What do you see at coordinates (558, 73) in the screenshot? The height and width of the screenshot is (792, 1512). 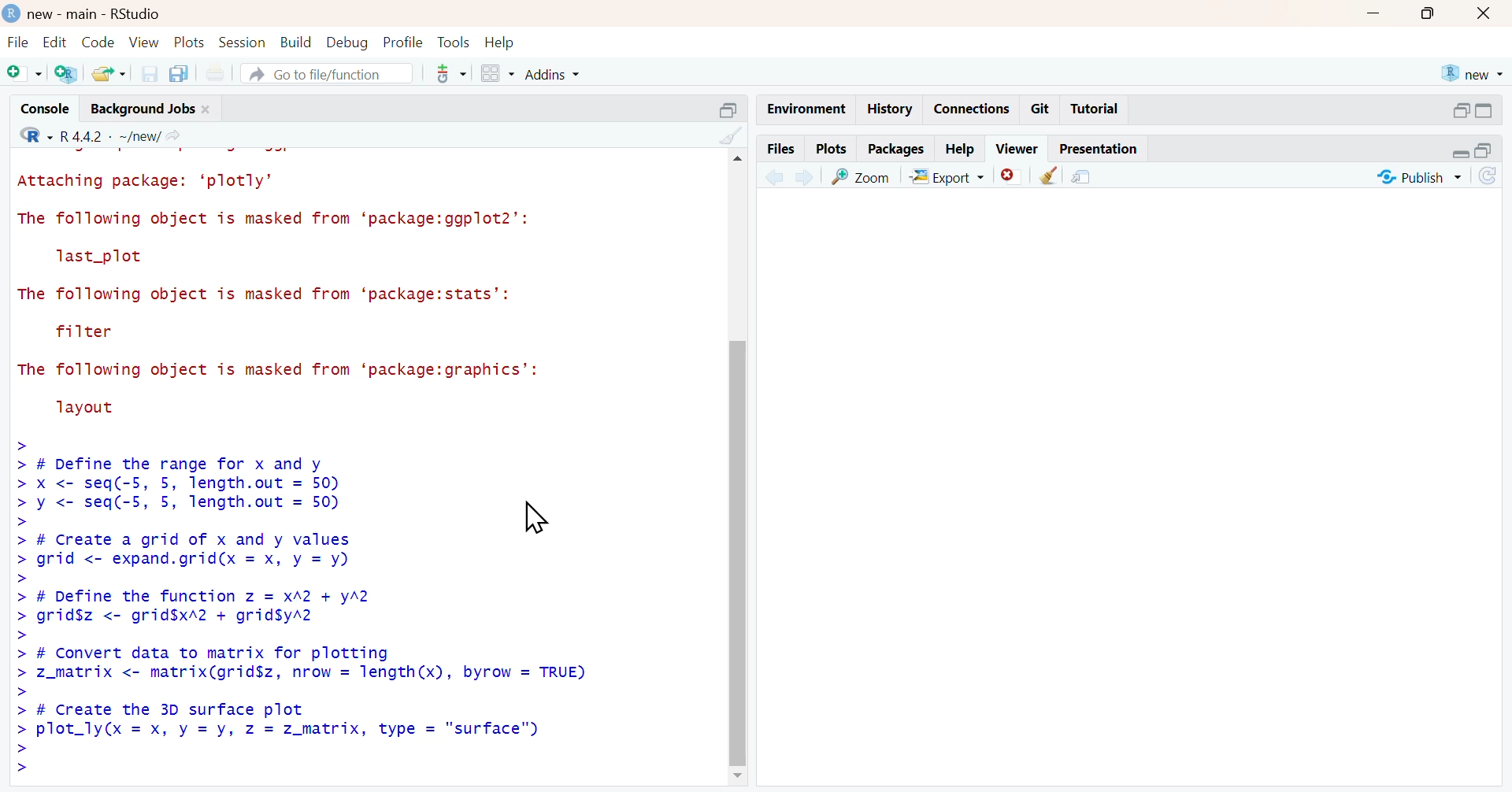 I see `addins` at bounding box center [558, 73].